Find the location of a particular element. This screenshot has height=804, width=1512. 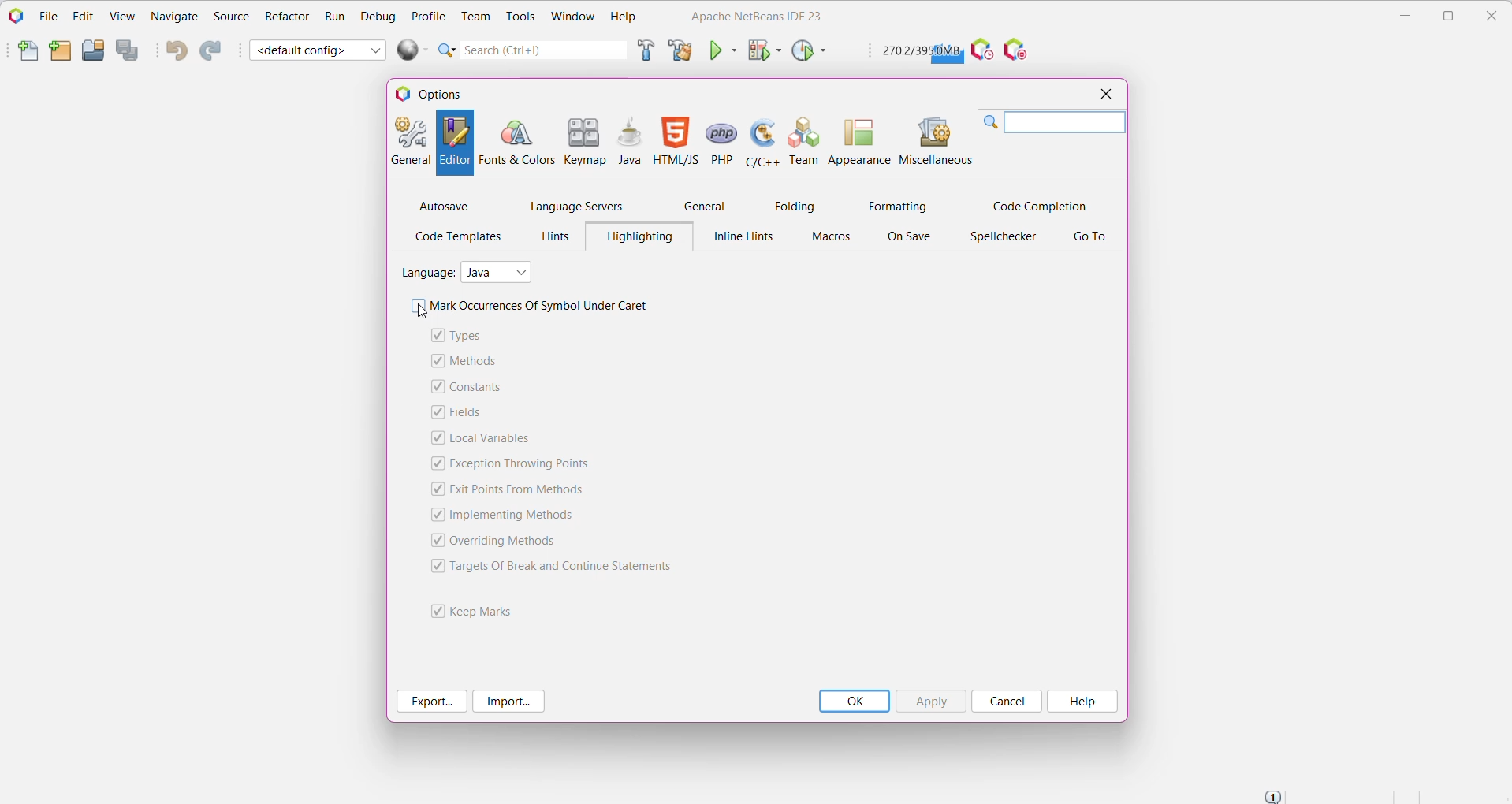

Mark Occurrences Of Symbol Under Caret - Click to enable is located at coordinates (546, 306).